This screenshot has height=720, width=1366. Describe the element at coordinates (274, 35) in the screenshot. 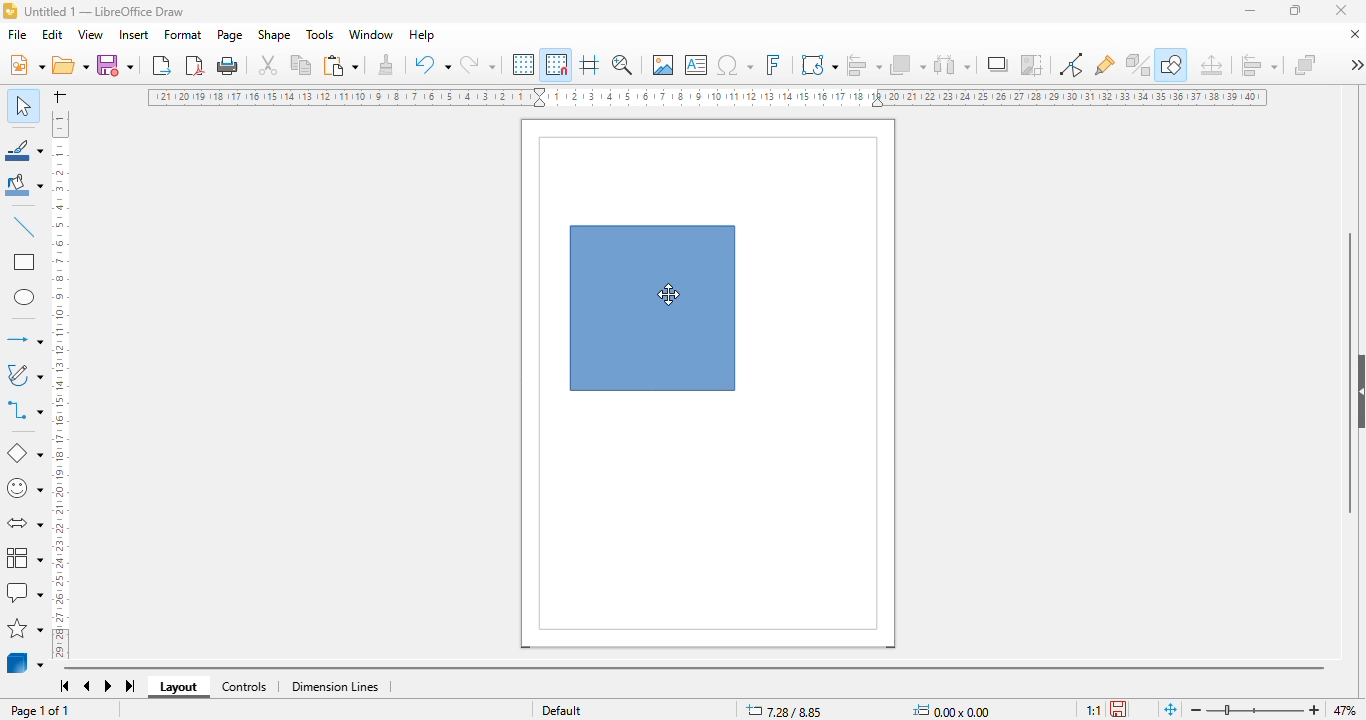

I see `shape` at that location.